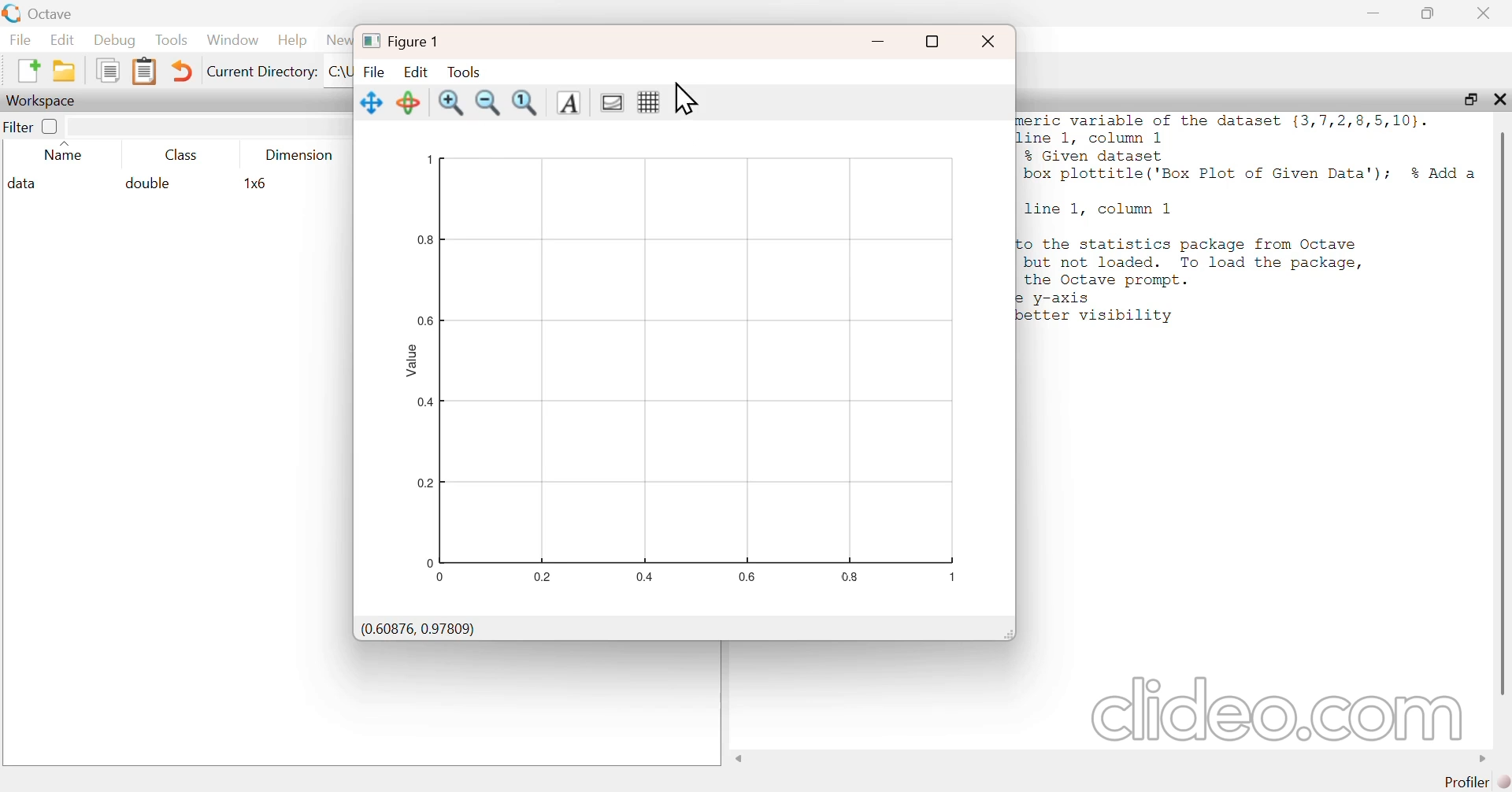  What do you see at coordinates (1429, 13) in the screenshot?
I see `maximize` at bounding box center [1429, 13].